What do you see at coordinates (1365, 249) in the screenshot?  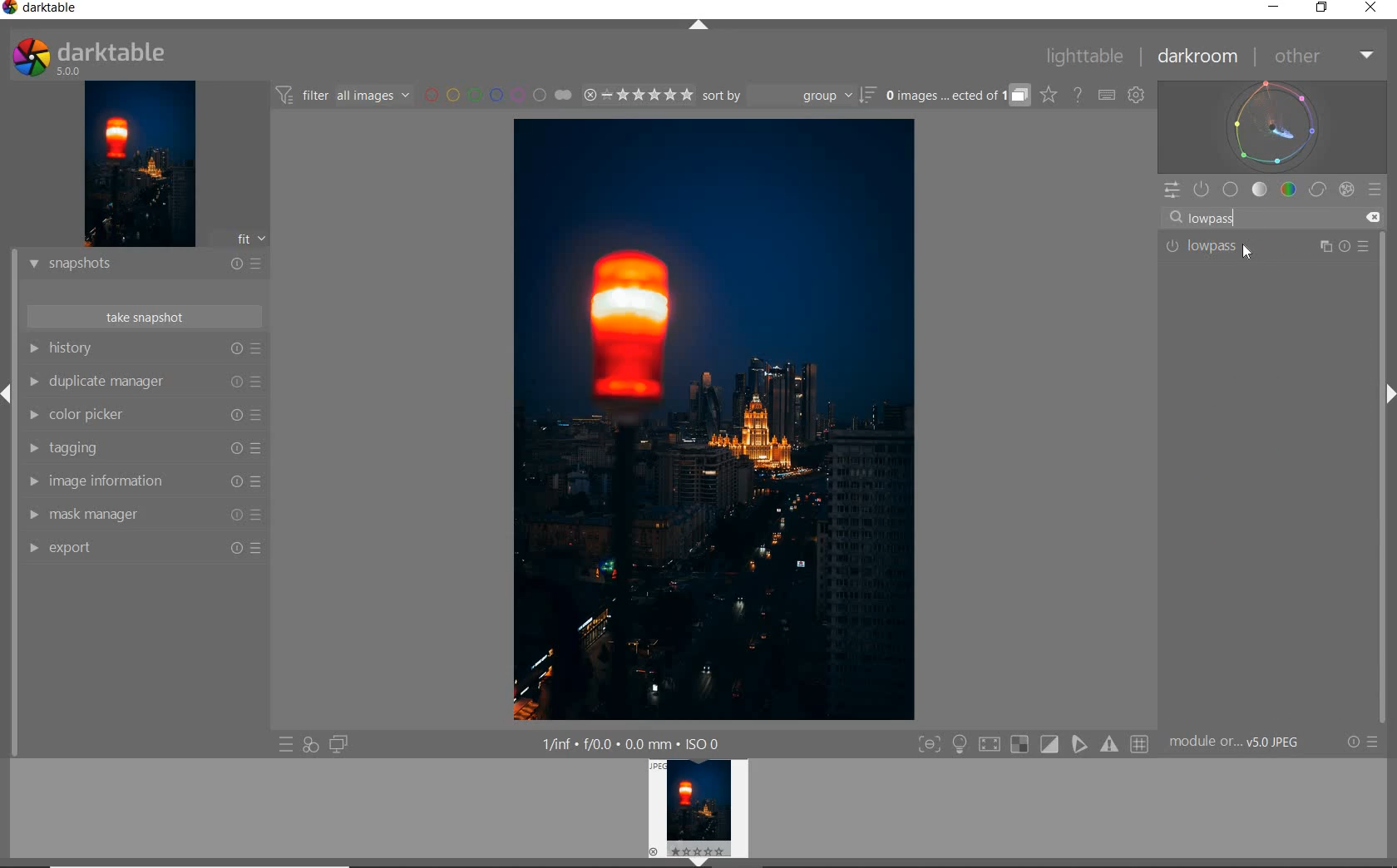 I see `Preset and reset` at bounding box center [1365, 249].